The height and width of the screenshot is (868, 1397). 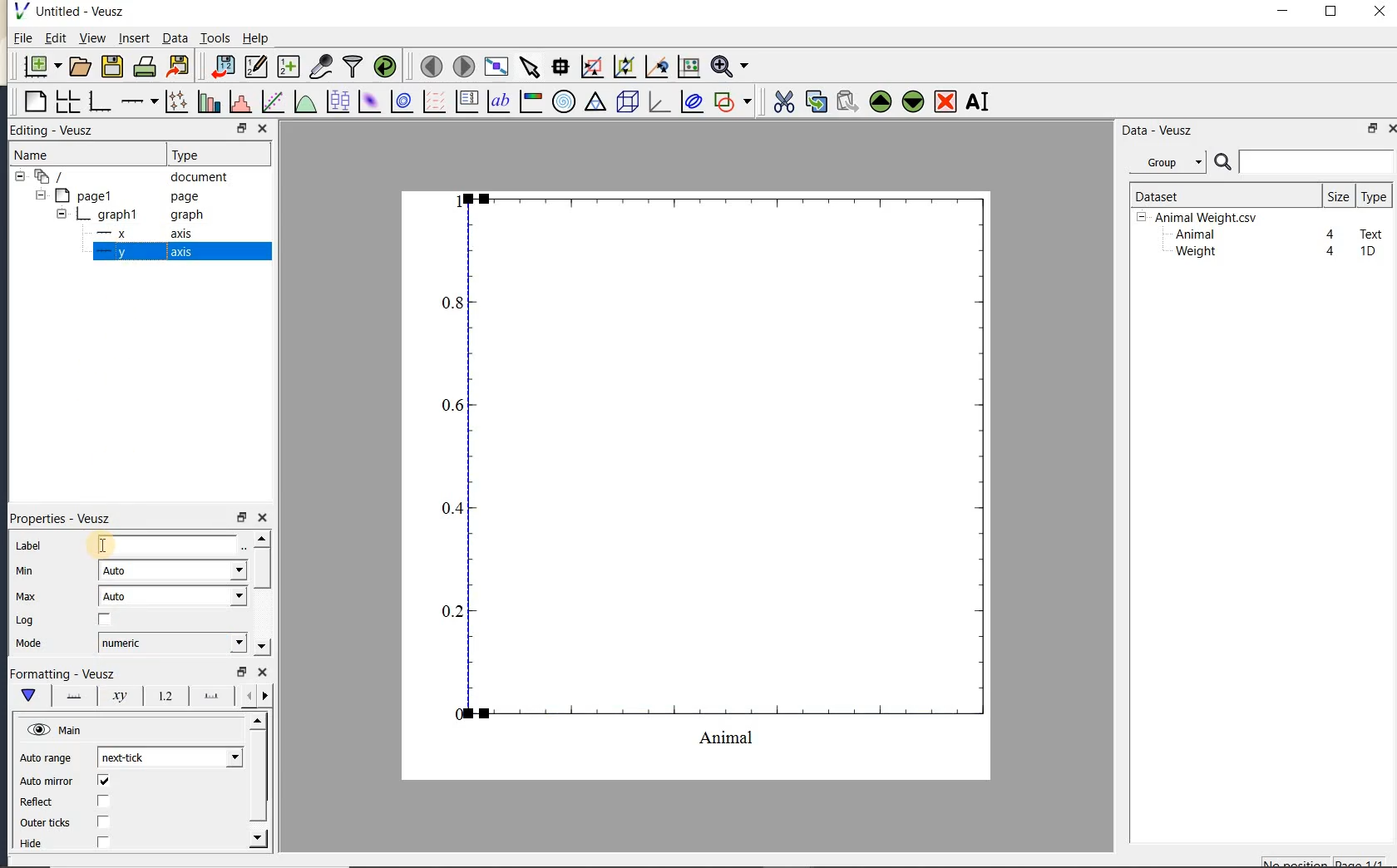 I want to click on Mode, so click(x=28, y=644).